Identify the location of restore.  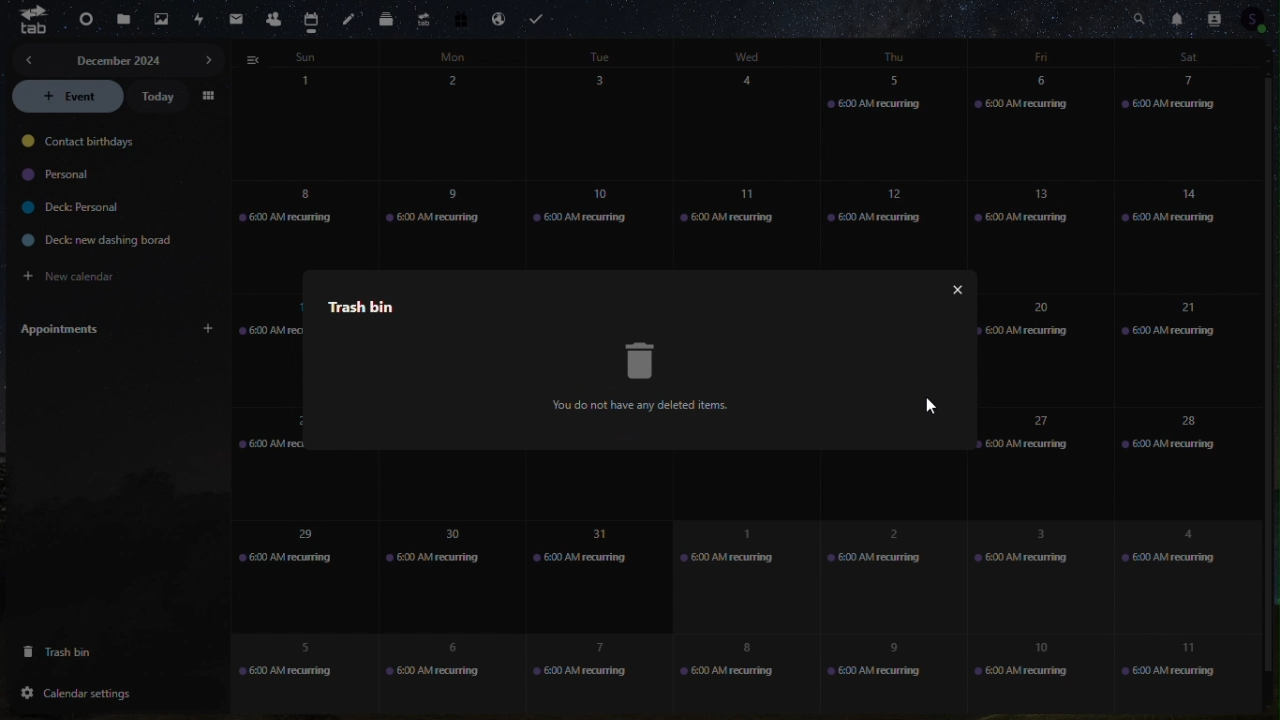
(882, 355).